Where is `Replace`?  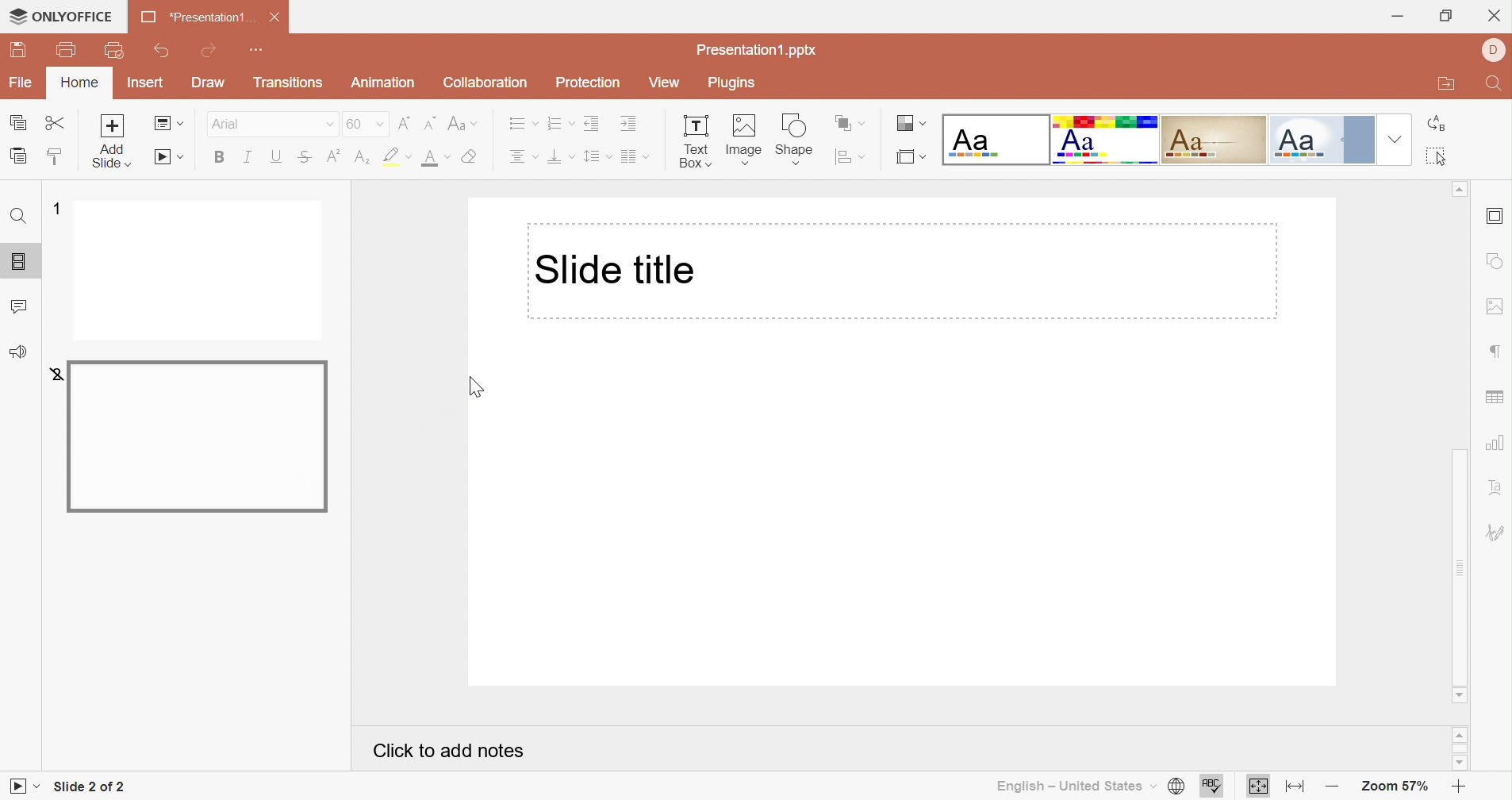 Replace is located at coordinates (1442, 125).